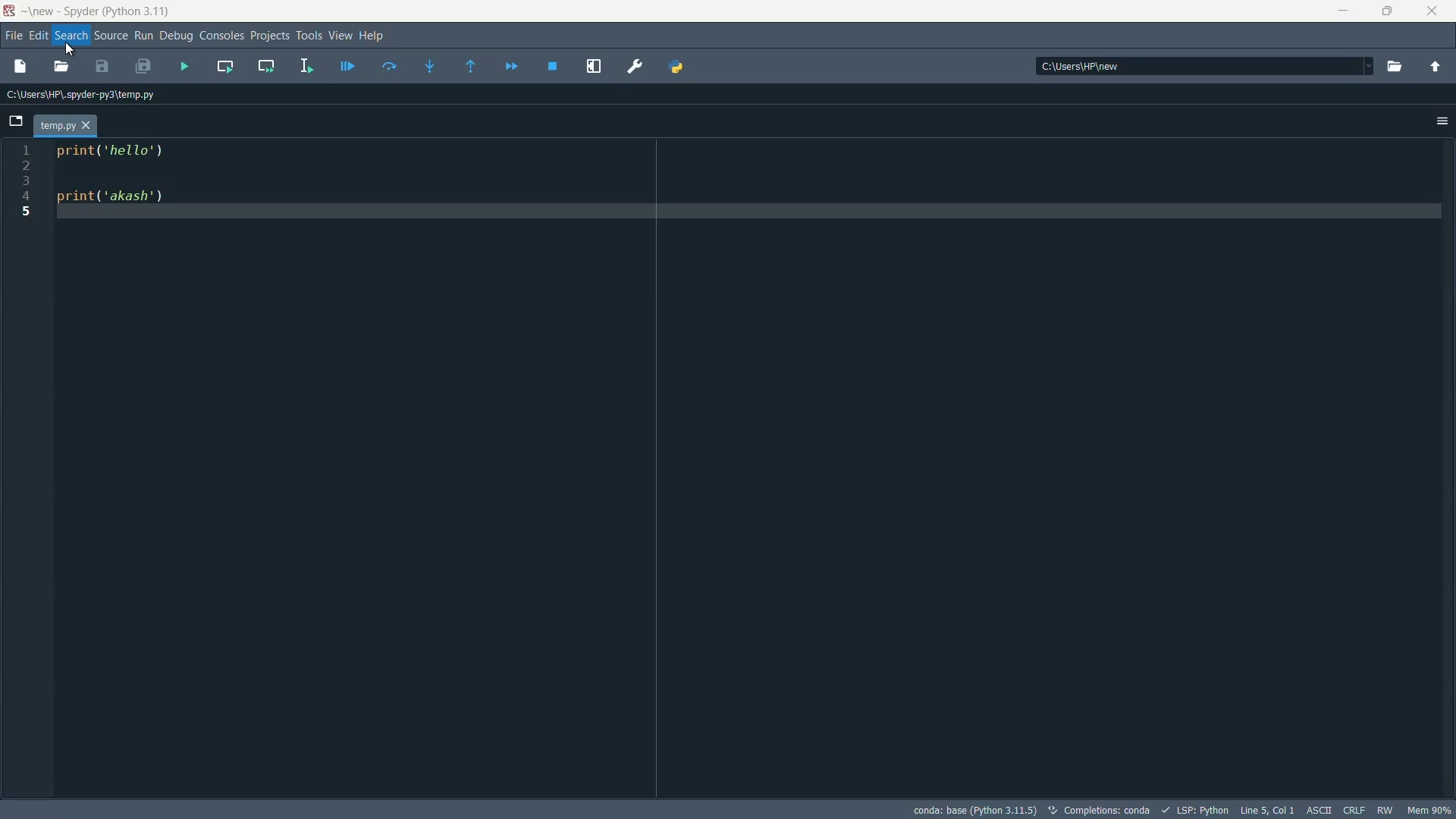 The height and width of the screenshot is (819, 1456). I want to click on debug until next function, so click(513, 66).